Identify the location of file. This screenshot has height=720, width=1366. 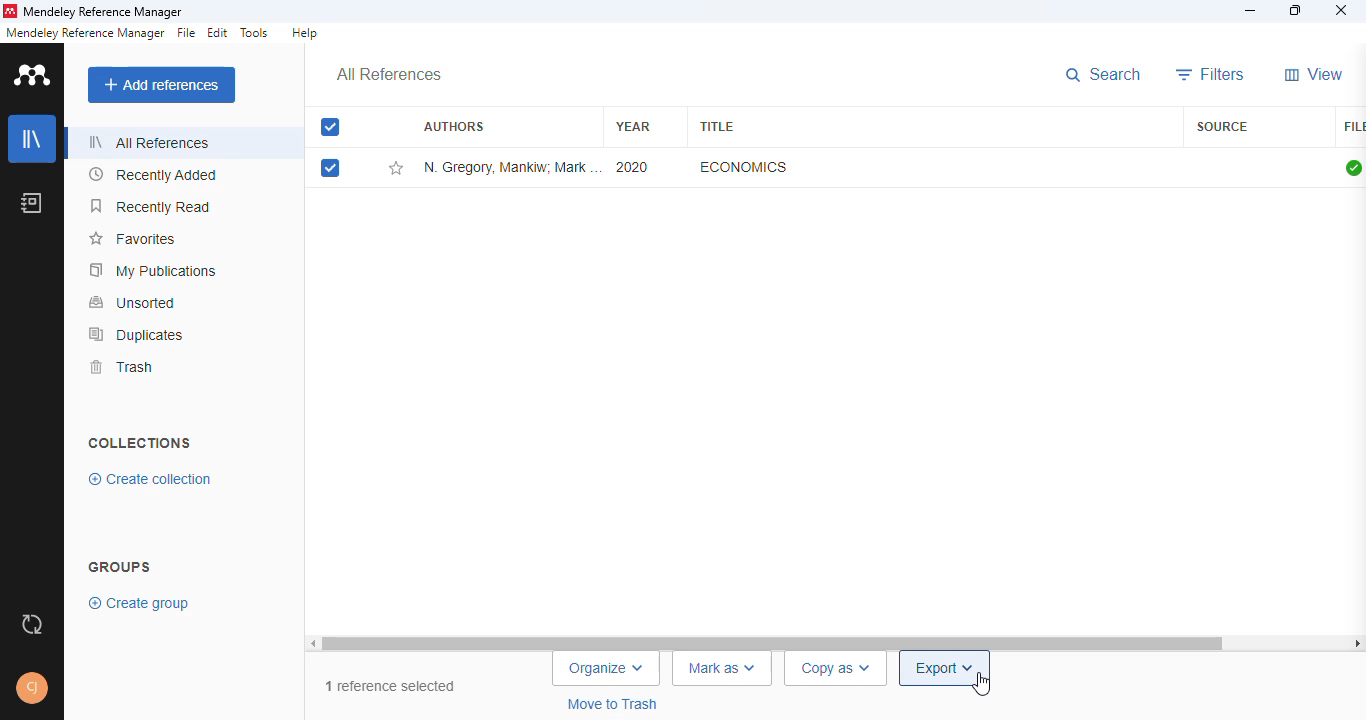
(1354, 127).